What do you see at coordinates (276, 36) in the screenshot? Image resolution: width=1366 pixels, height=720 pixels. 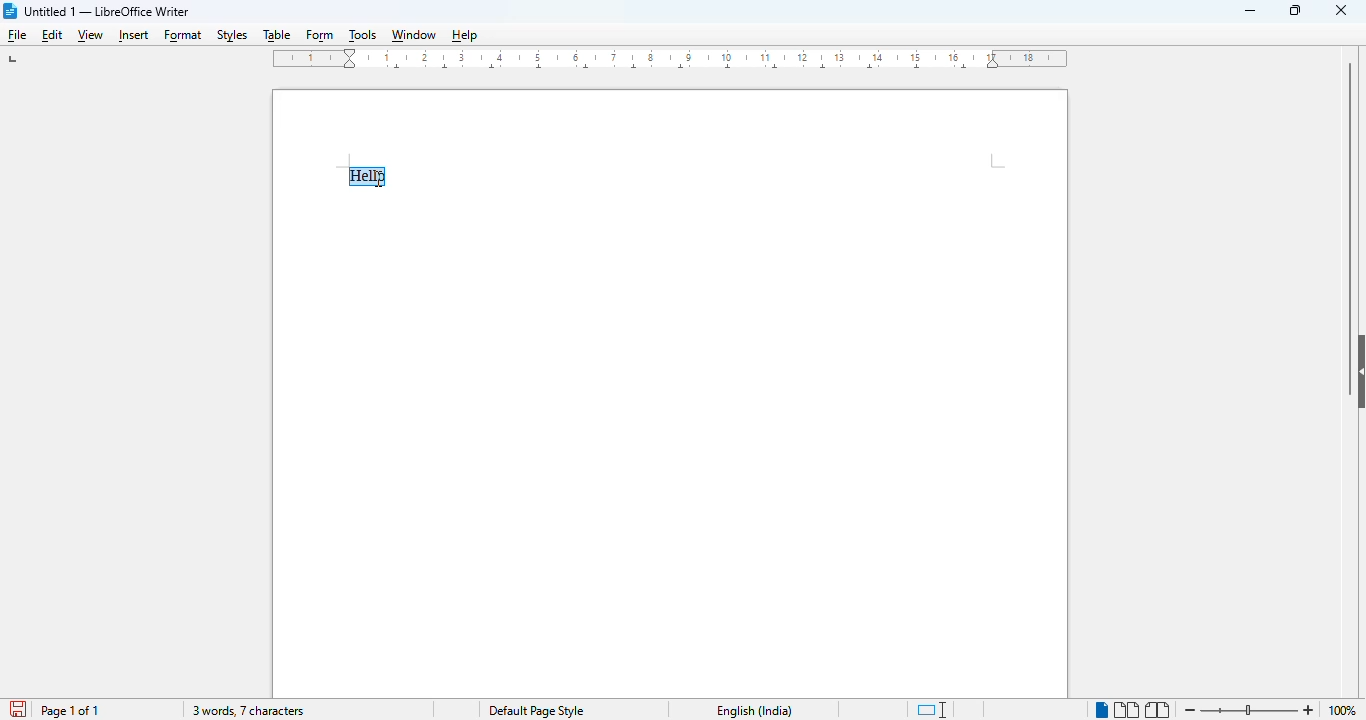 I see `table` at bounding box center [276, 36].